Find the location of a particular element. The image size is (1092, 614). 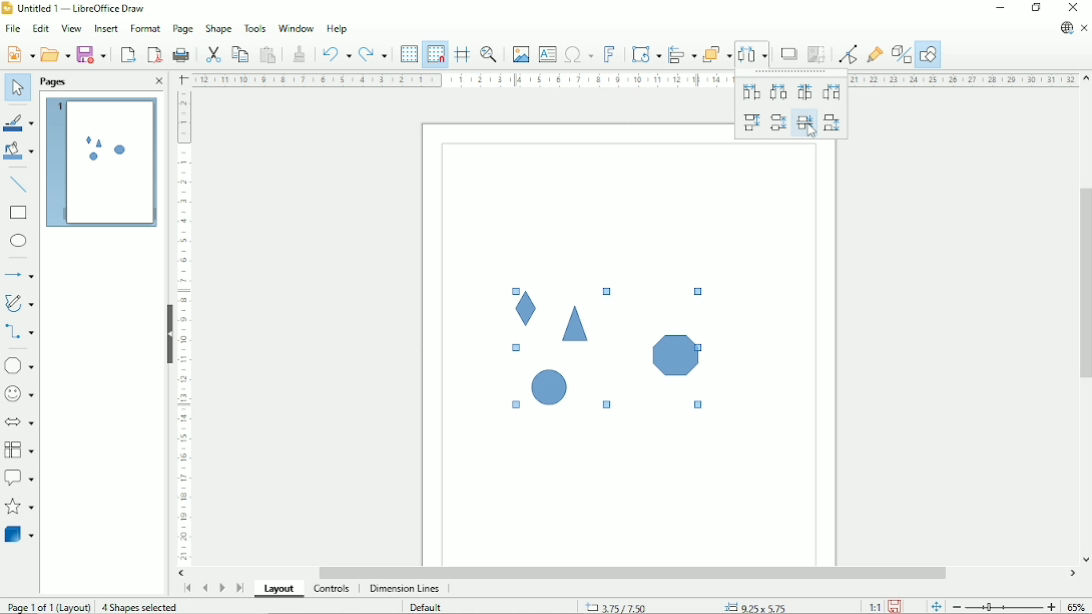

Pages is located at coordinates (52, 81).